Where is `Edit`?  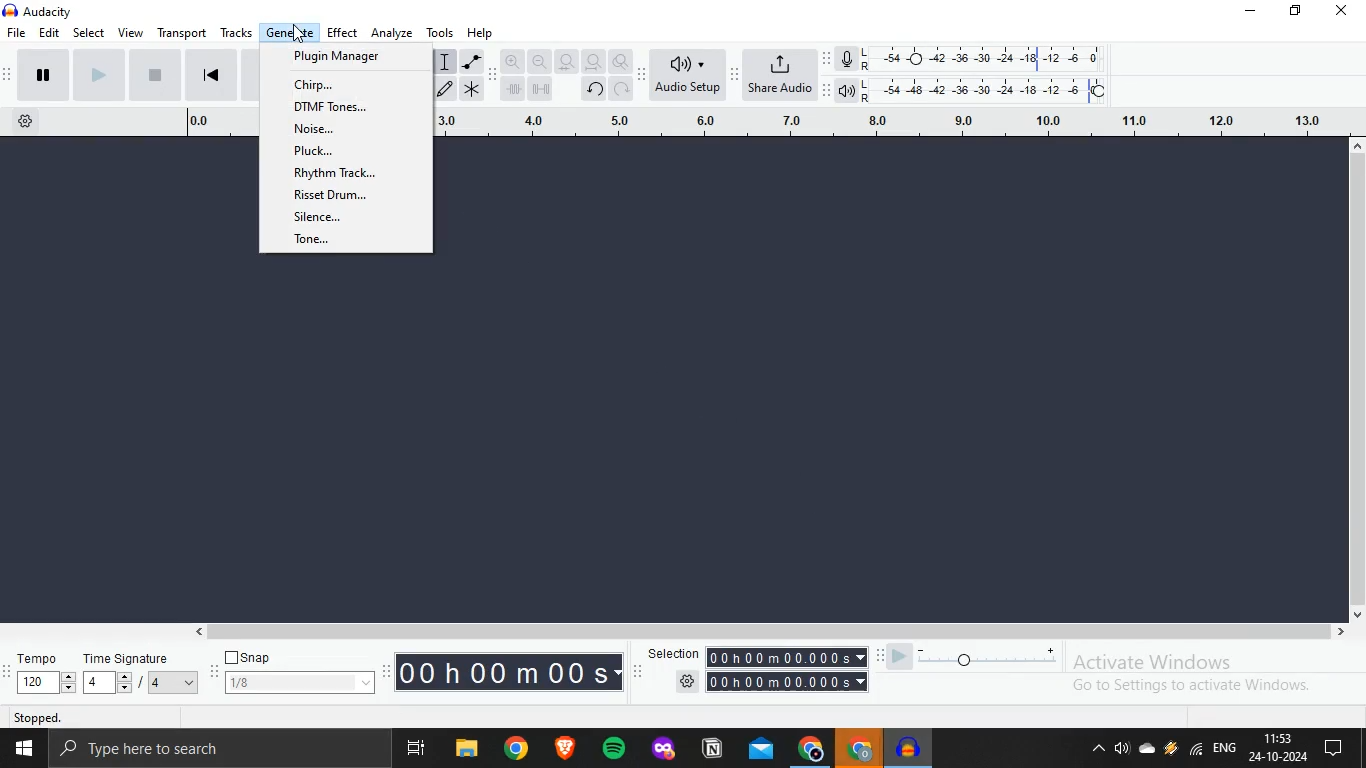
Edit is located at coordinates (444, 91).